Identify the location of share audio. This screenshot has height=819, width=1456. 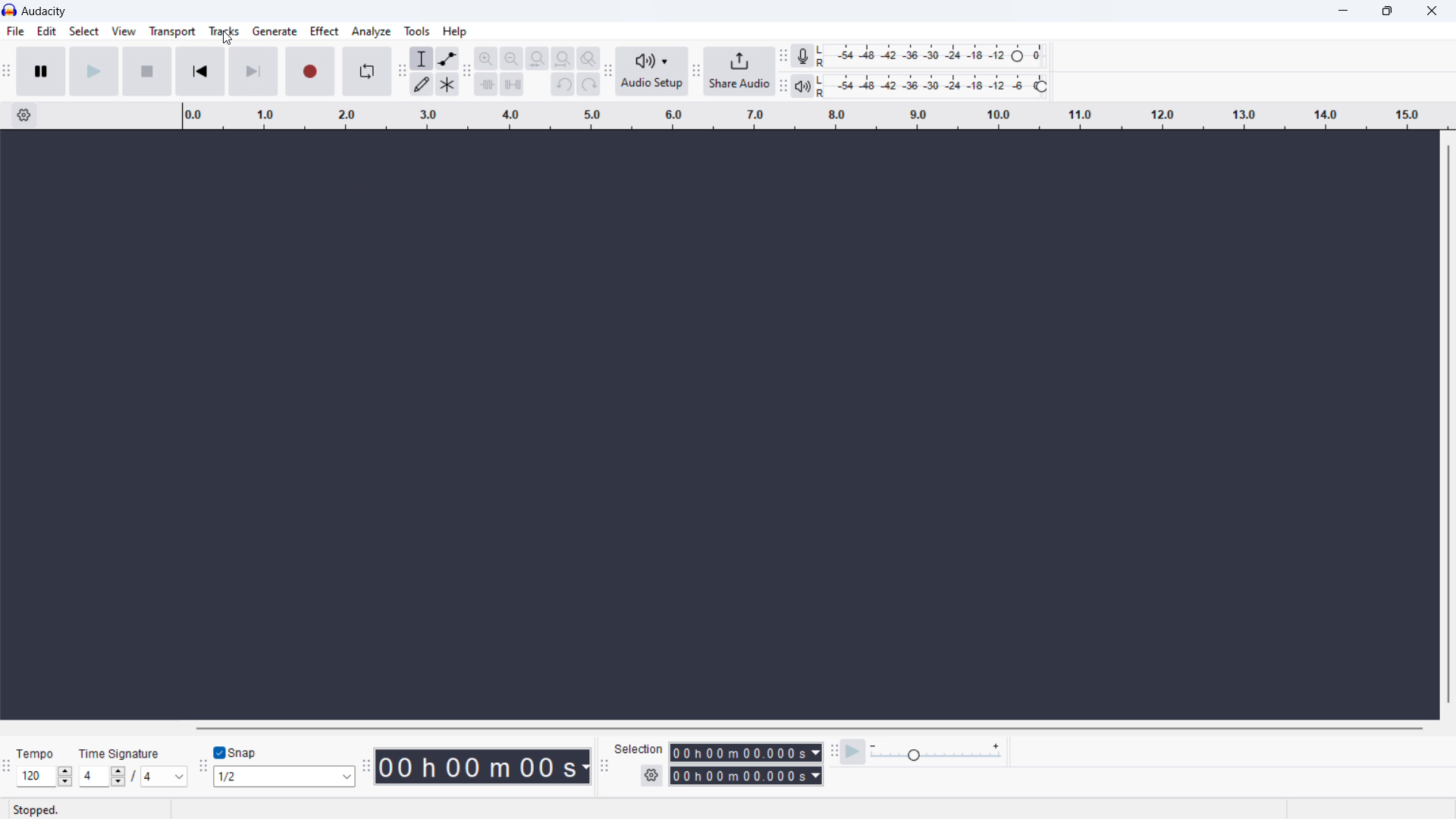
(740, 71).